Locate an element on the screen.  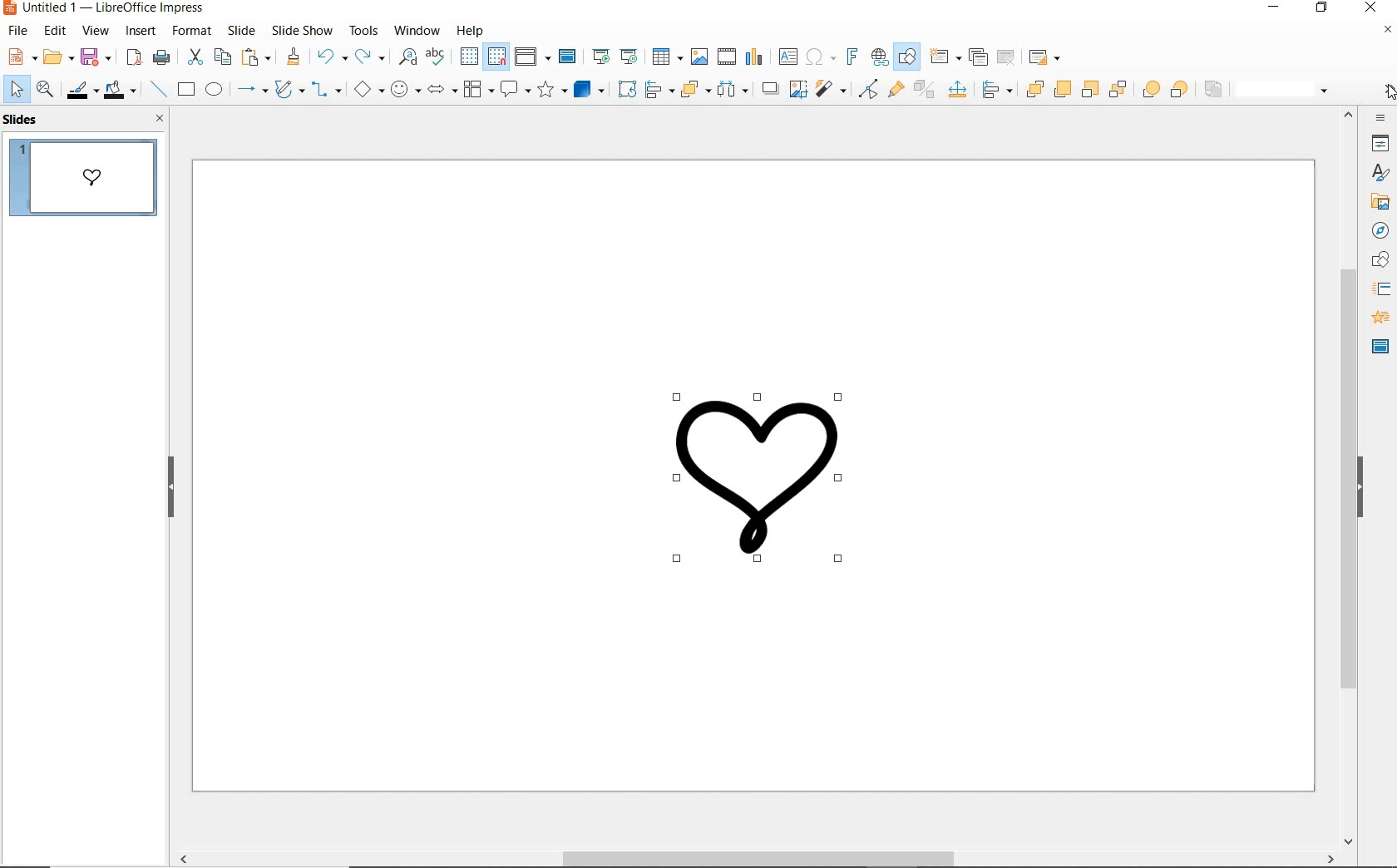
rotate is located at coordinates (627, 89).